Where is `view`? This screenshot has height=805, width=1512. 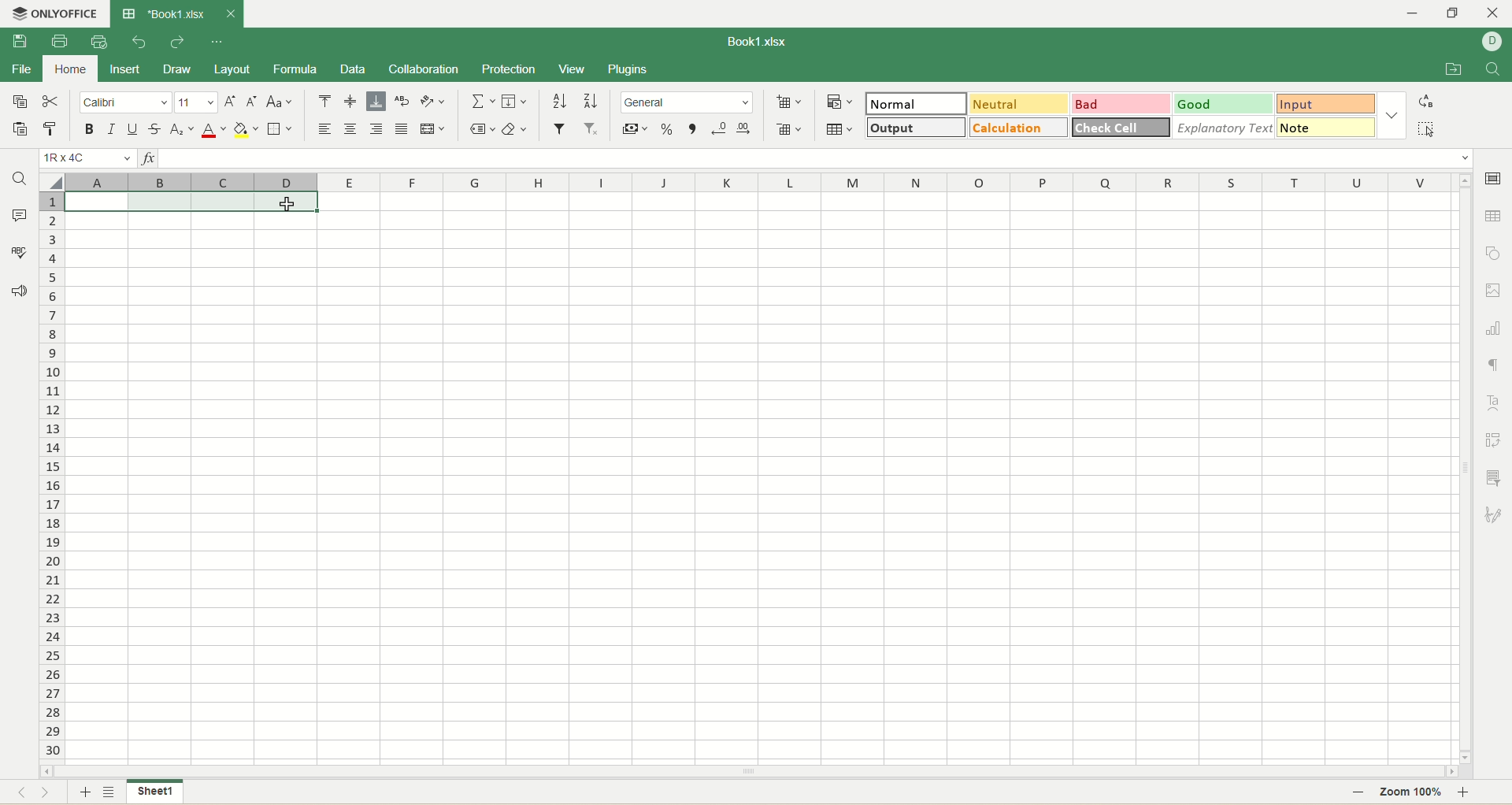
view is located at coordinates (573, 69).